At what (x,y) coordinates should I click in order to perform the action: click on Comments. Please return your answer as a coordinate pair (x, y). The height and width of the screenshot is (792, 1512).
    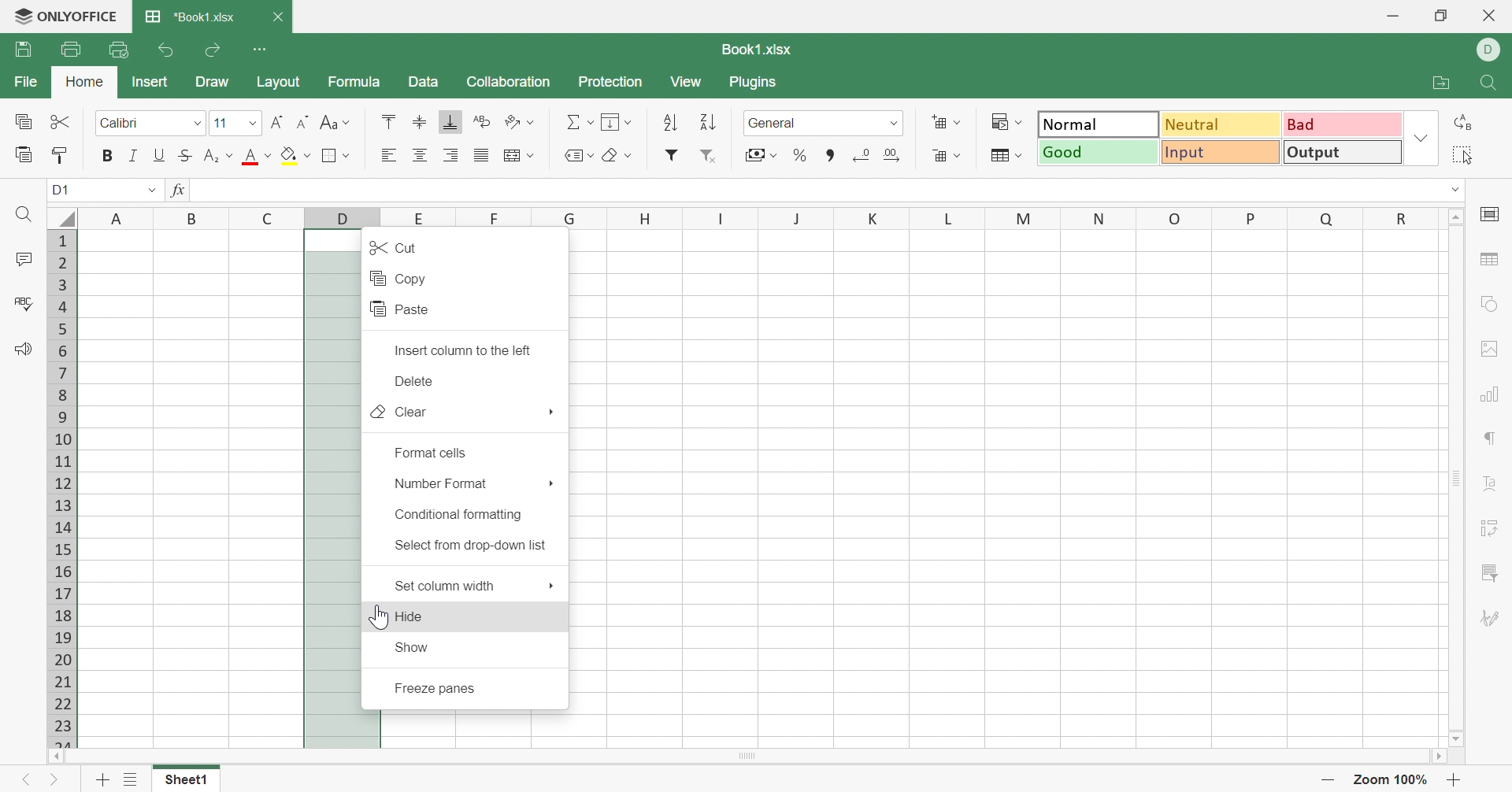
    Looking at the image, I should click on (24, 258).